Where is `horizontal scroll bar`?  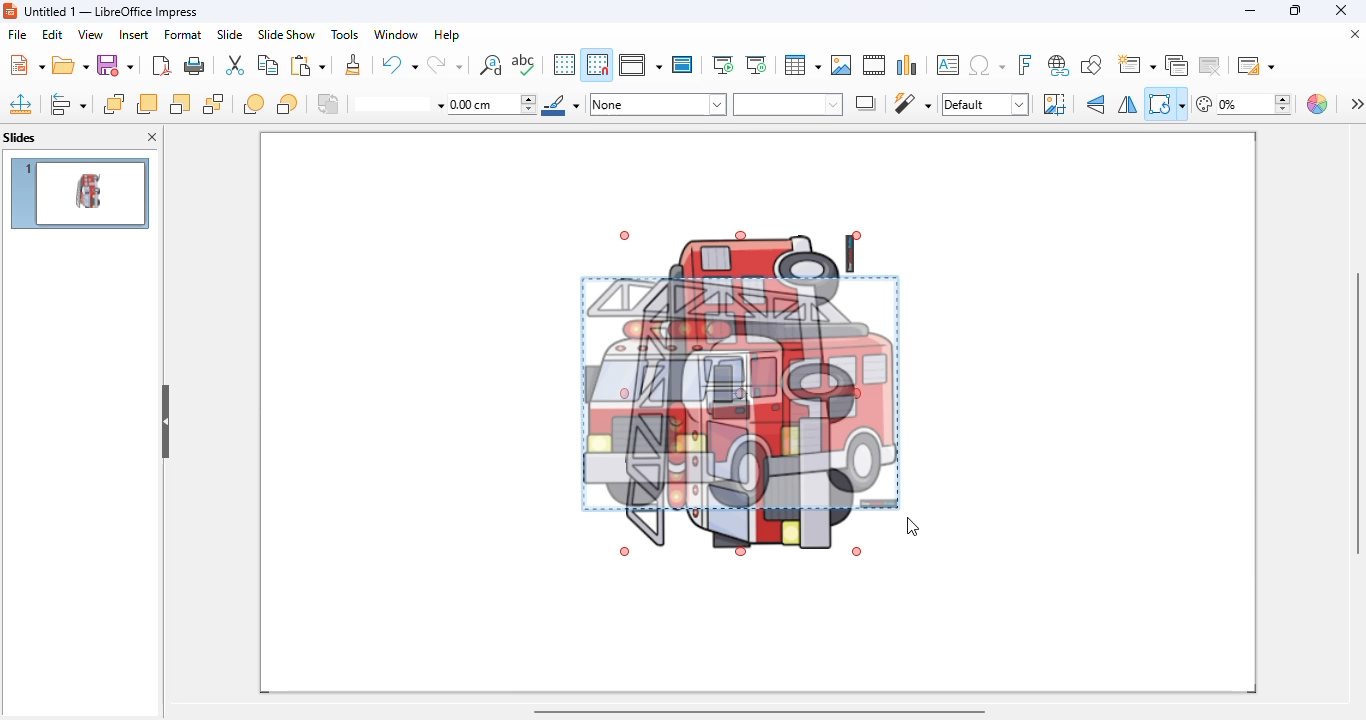
horizontal scroll bar is located at coordinates (760, 712).